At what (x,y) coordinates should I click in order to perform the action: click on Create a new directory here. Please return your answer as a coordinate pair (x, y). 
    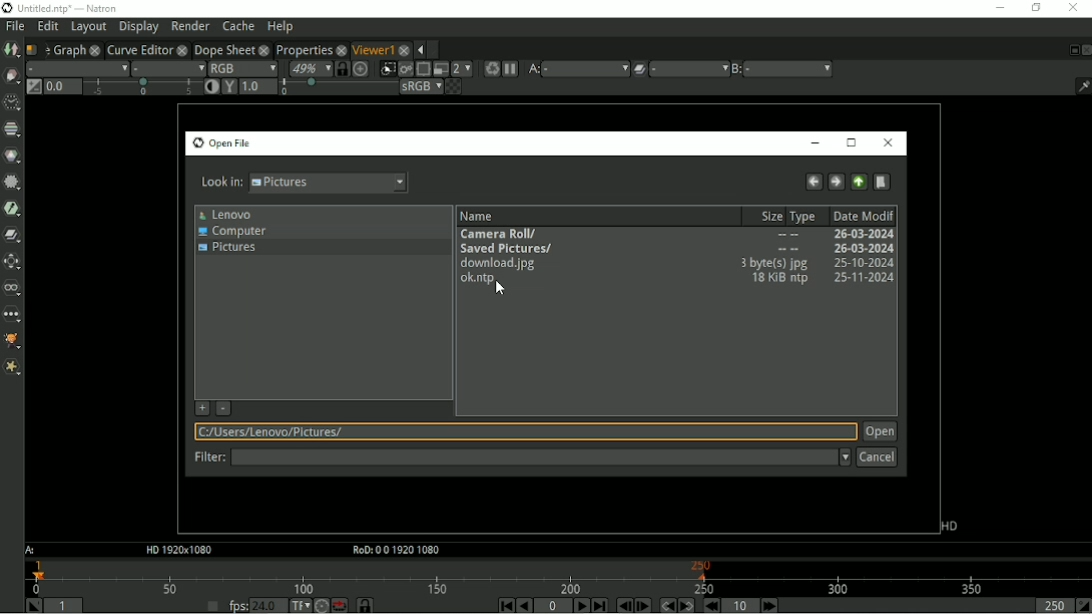
    Looking at the image, I should click on (882, 182).